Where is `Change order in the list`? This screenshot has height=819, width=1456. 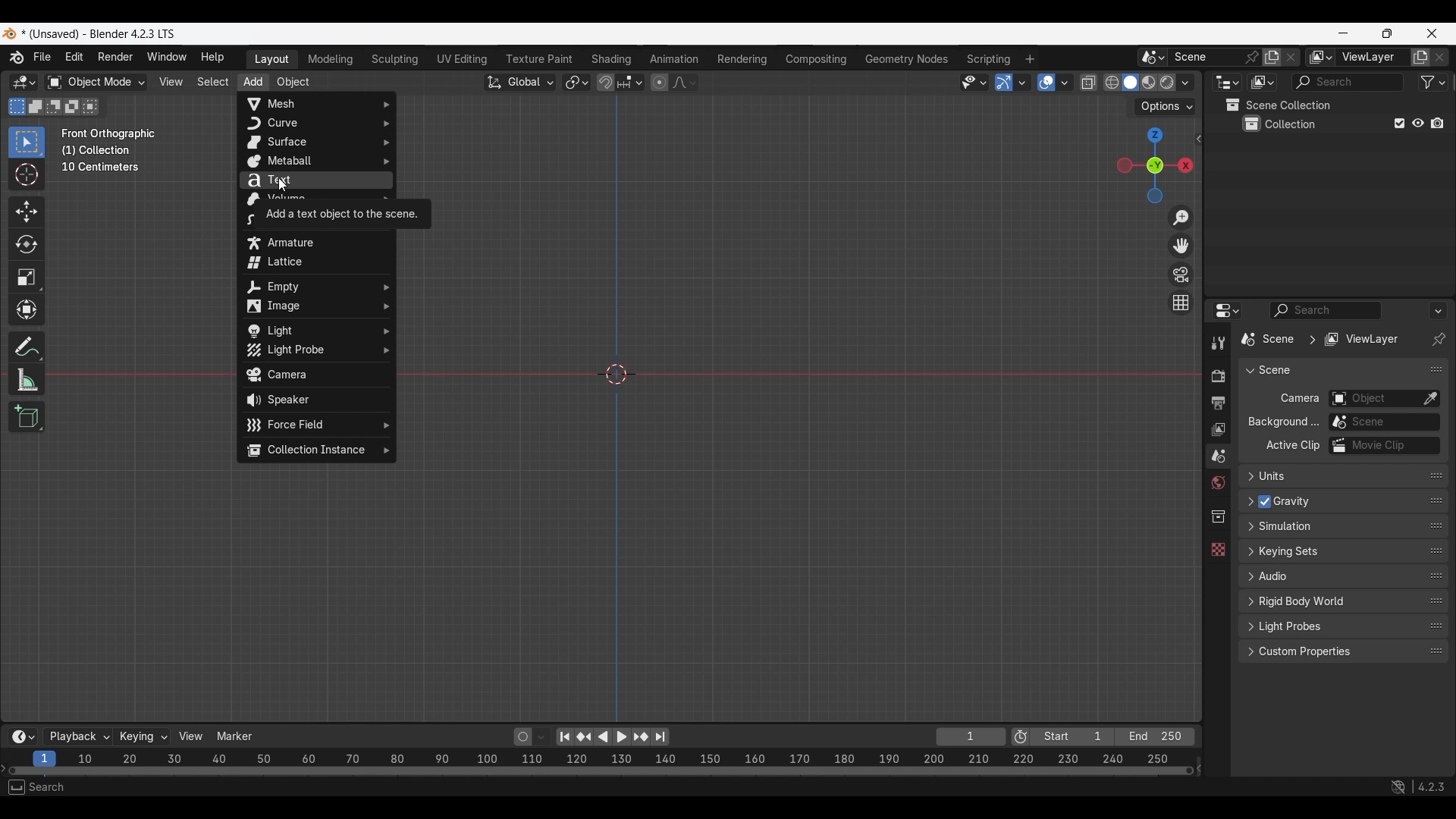
Change order in the list is located at coordinates (1436, 576).